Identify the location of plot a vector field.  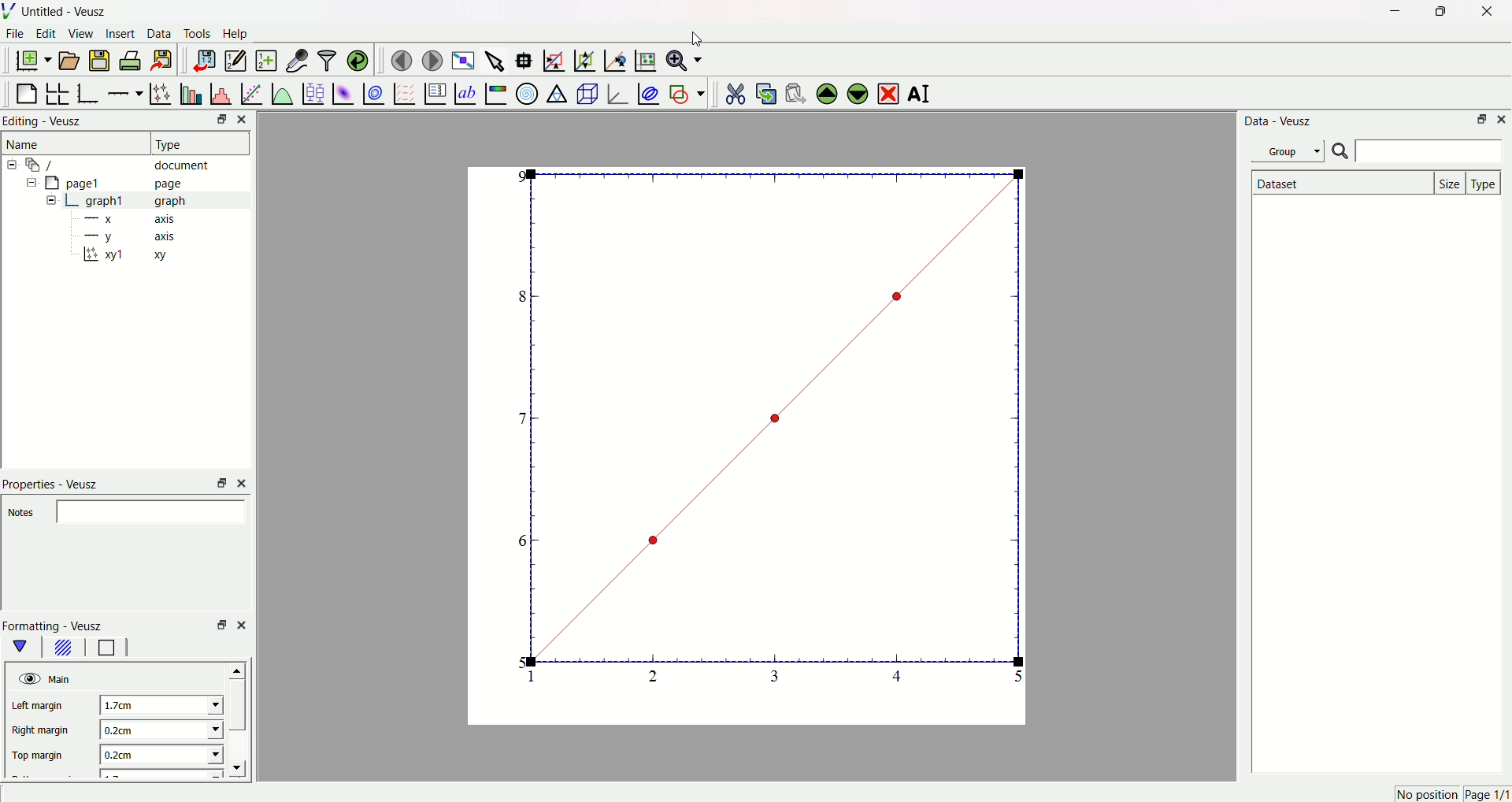
(402, 93).